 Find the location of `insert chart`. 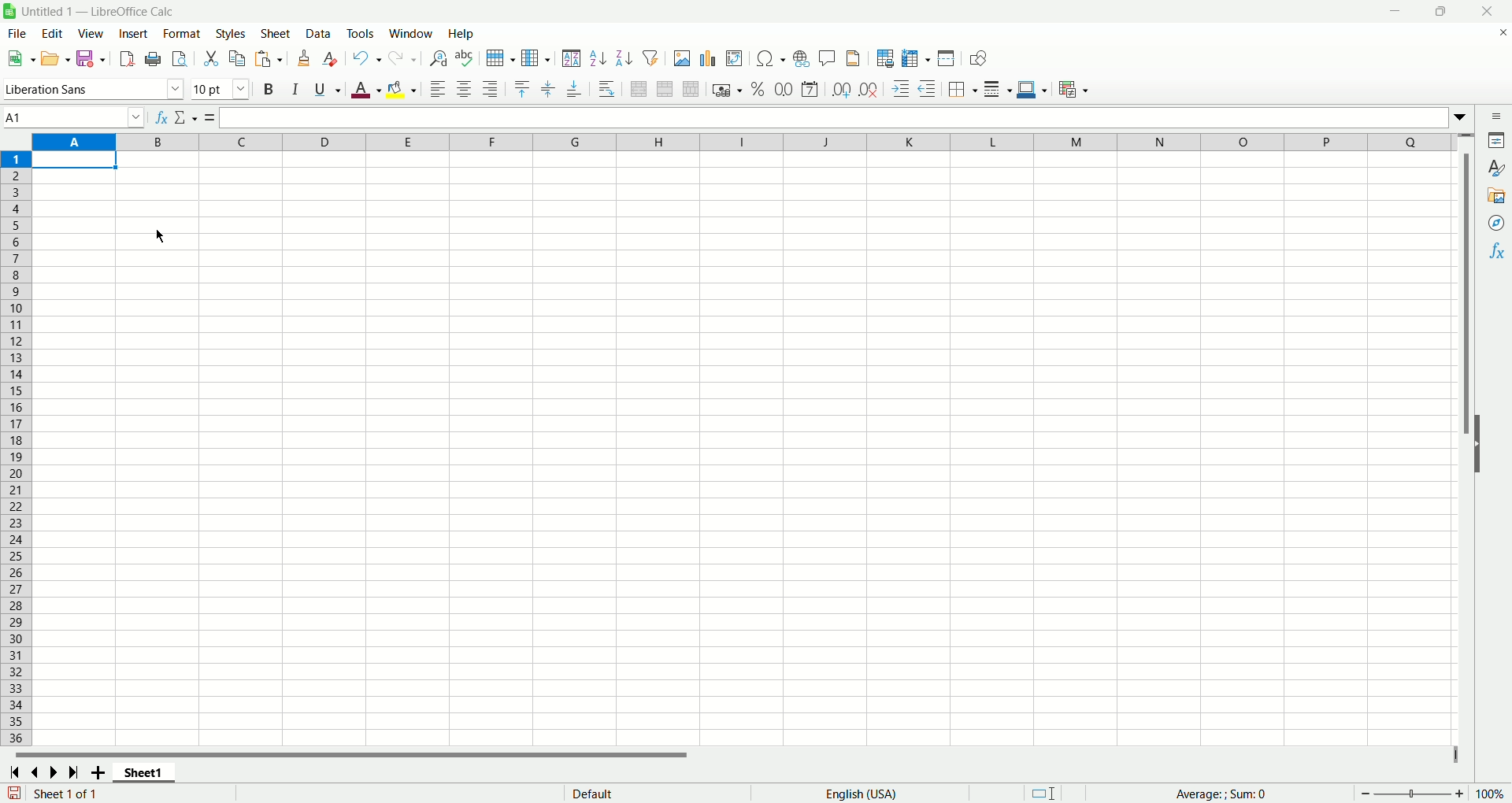

insert chart is located at coordinates (711, 57).